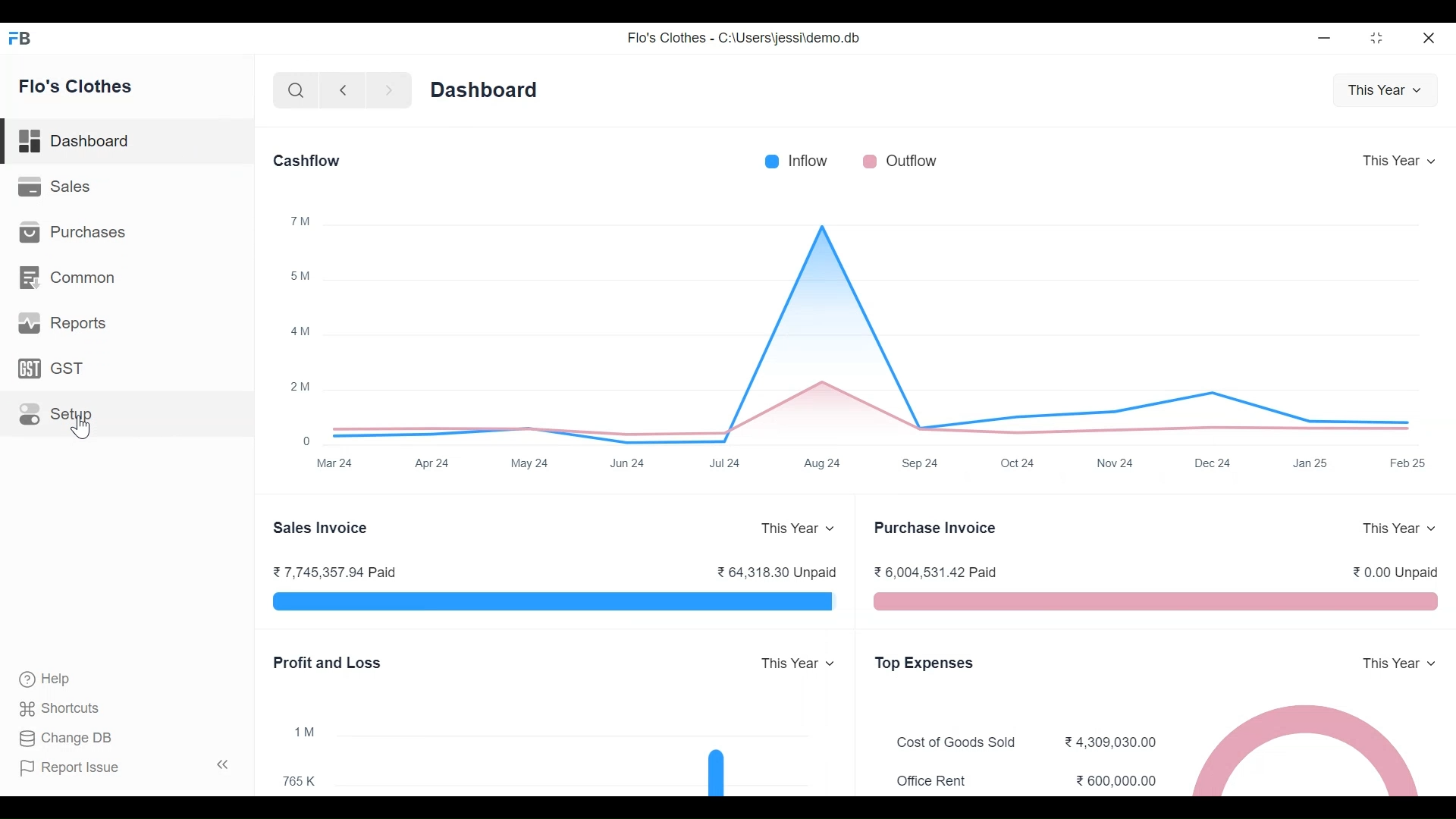 The image size is (1456, 819). What do you see at coordinates (67, 278) in the screenshot?
I see `common` at bounding box center [67, 278].